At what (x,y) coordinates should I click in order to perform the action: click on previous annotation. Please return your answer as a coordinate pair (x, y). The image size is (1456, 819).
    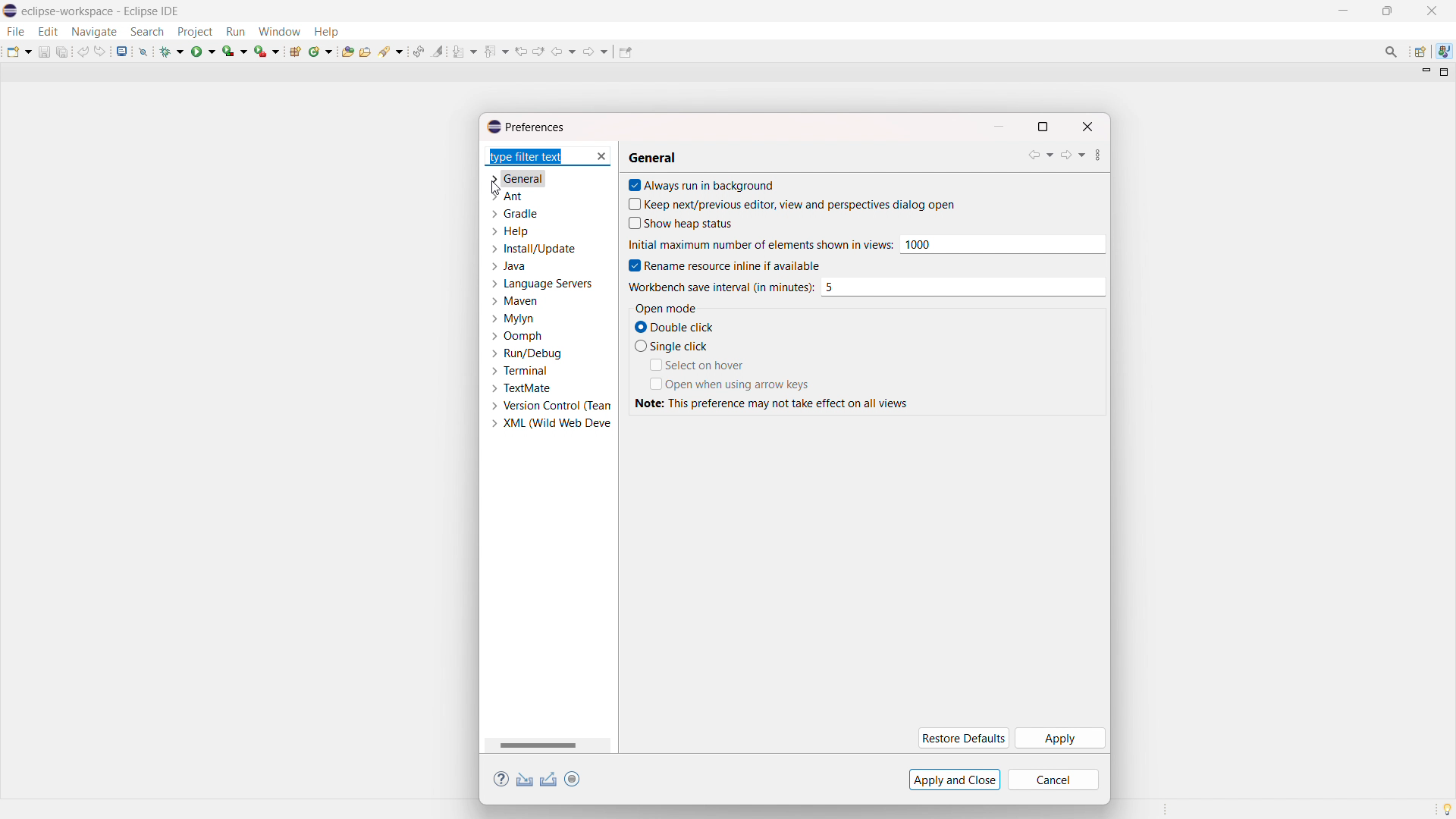
    Looking at the image, I should click on (496, 51).